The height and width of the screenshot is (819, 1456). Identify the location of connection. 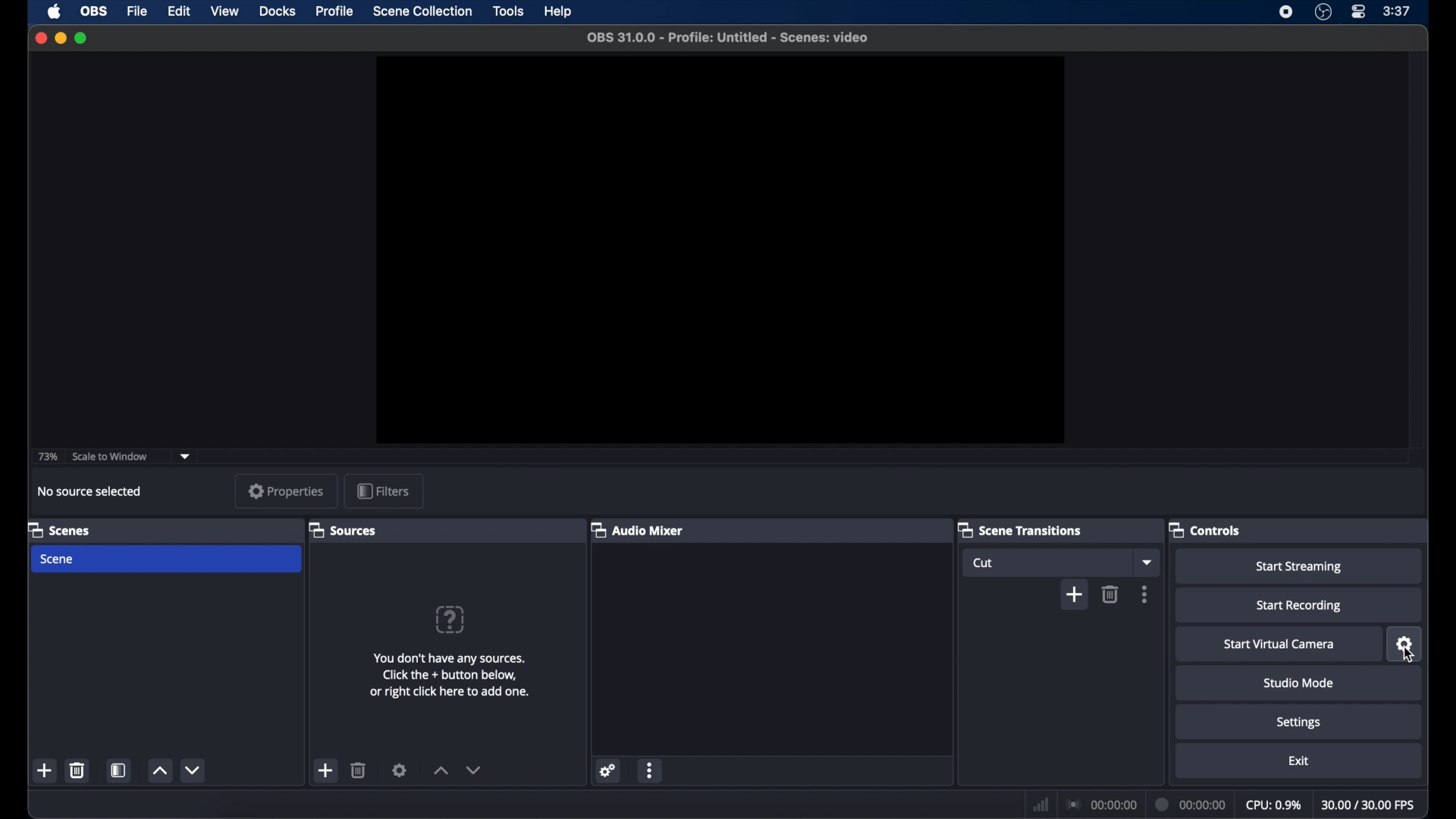
(1100, 804).